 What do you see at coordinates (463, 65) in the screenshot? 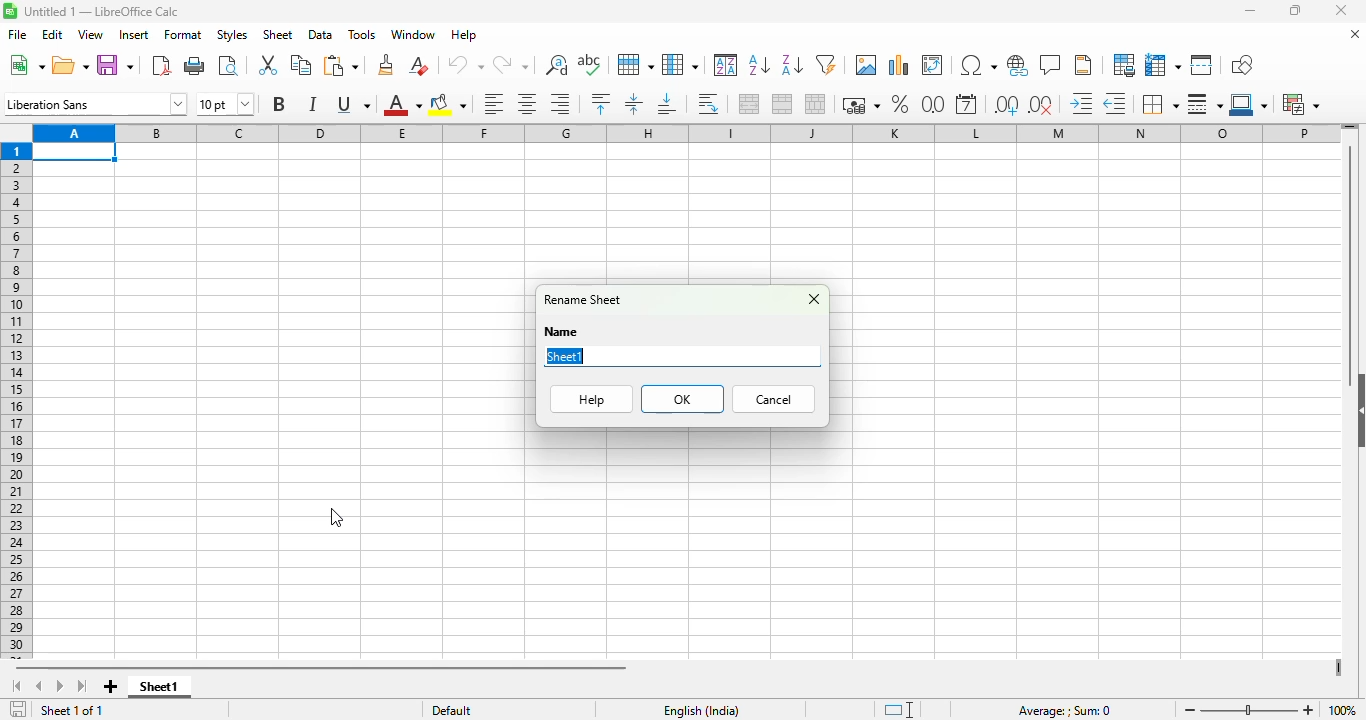
I see `undo` at bounding box center [463, 65].